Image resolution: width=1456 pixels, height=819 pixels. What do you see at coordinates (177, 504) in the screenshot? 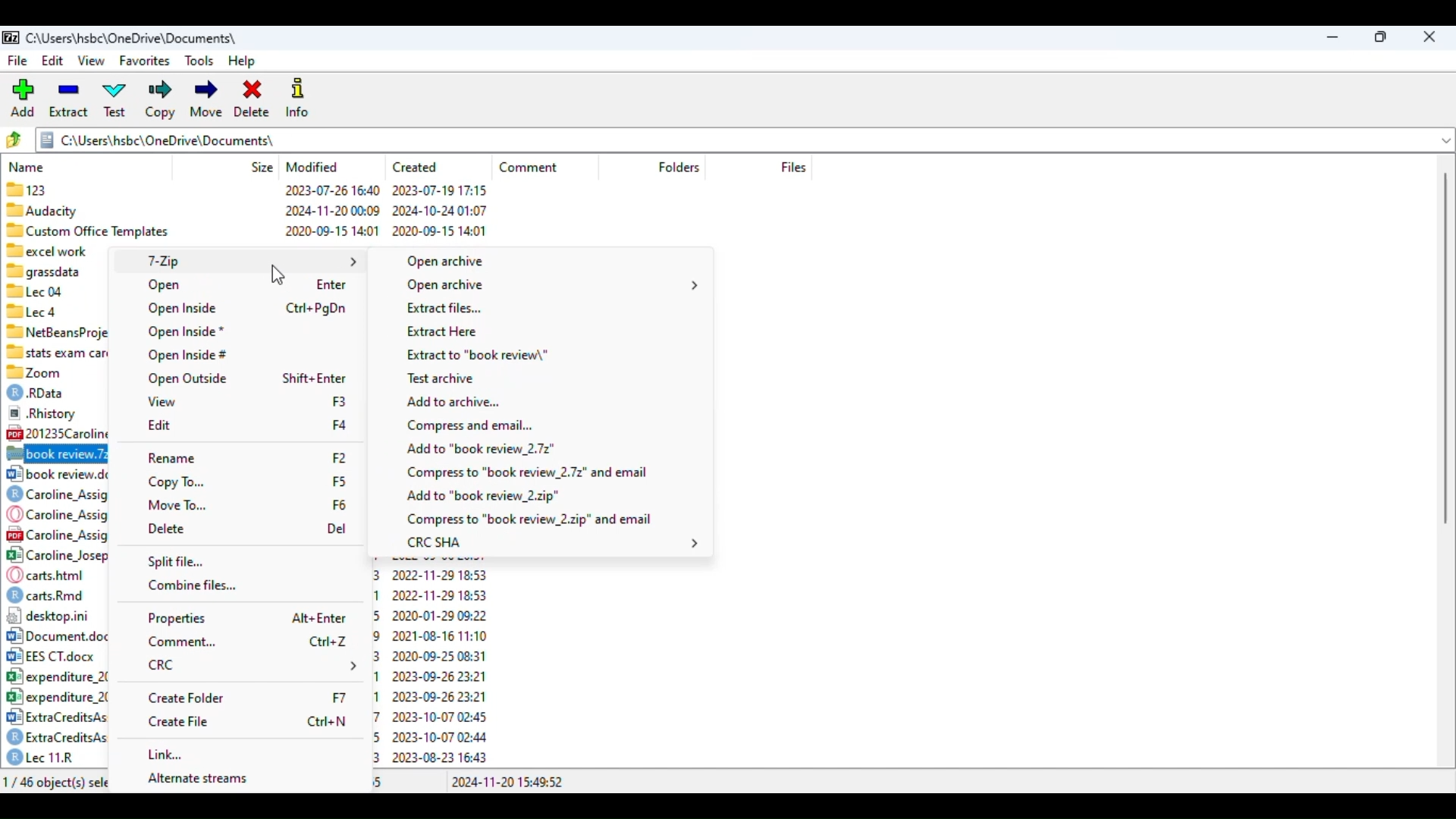
I see `move to` at bounding box center [177, 504].